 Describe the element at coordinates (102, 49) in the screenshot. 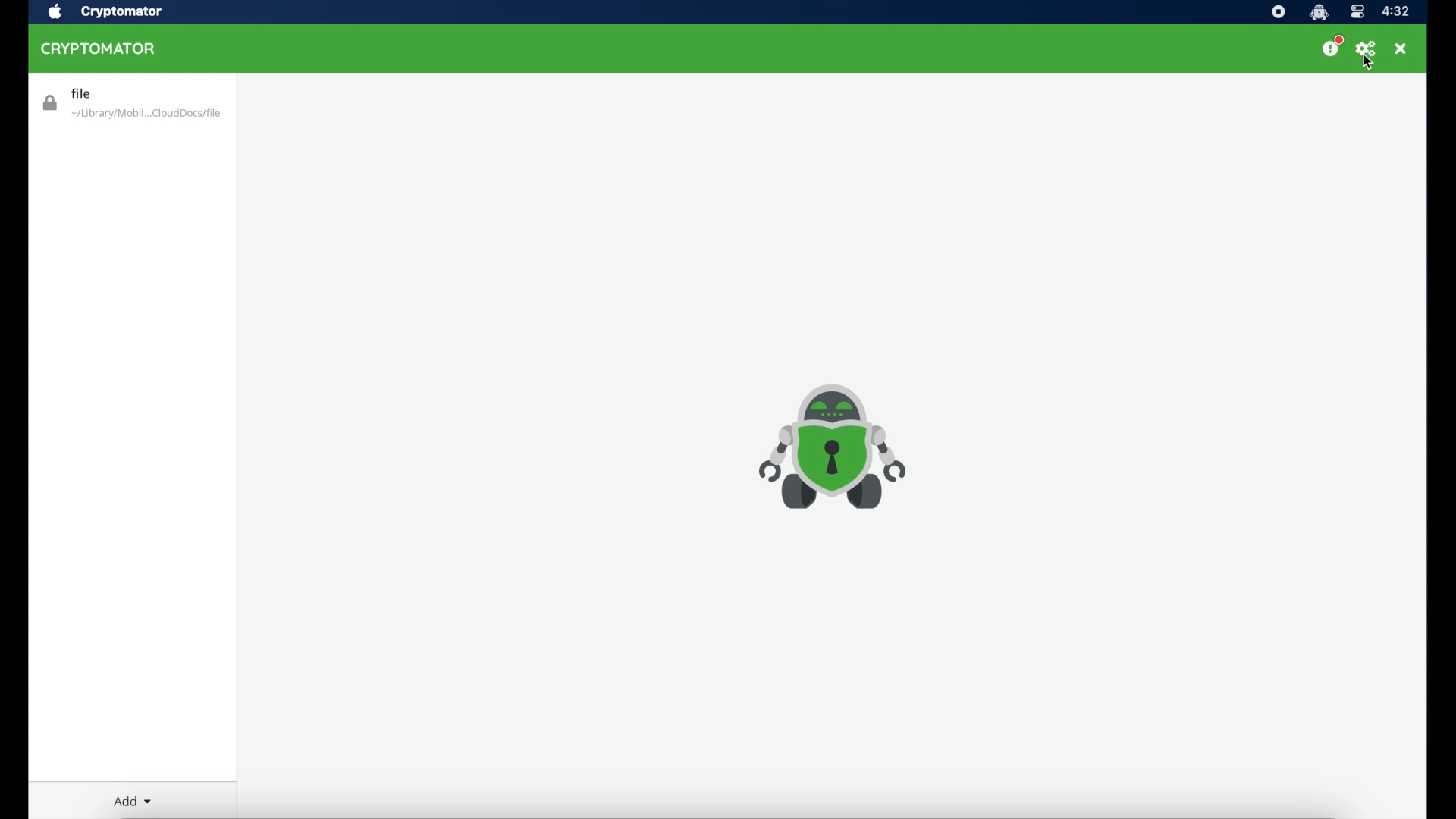

I see `cryptomator` at that location.